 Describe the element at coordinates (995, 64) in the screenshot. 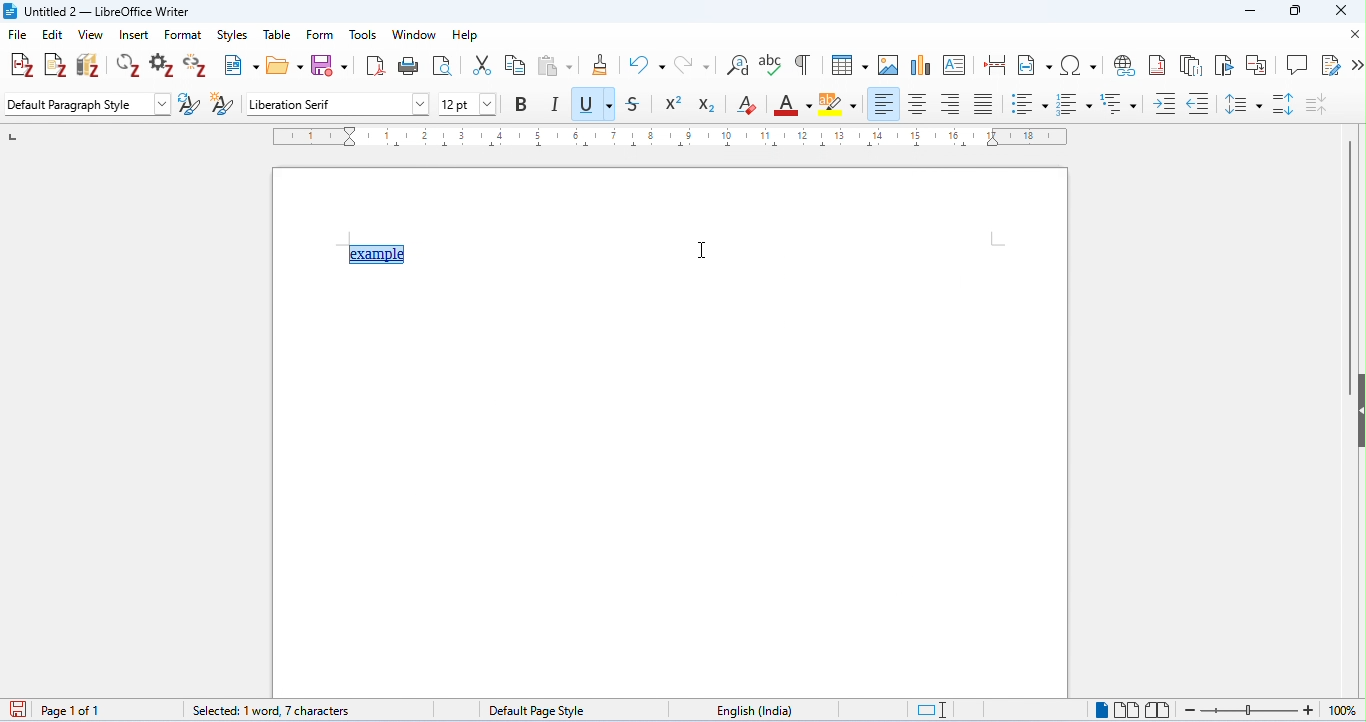

I see `insert page break` at that location.